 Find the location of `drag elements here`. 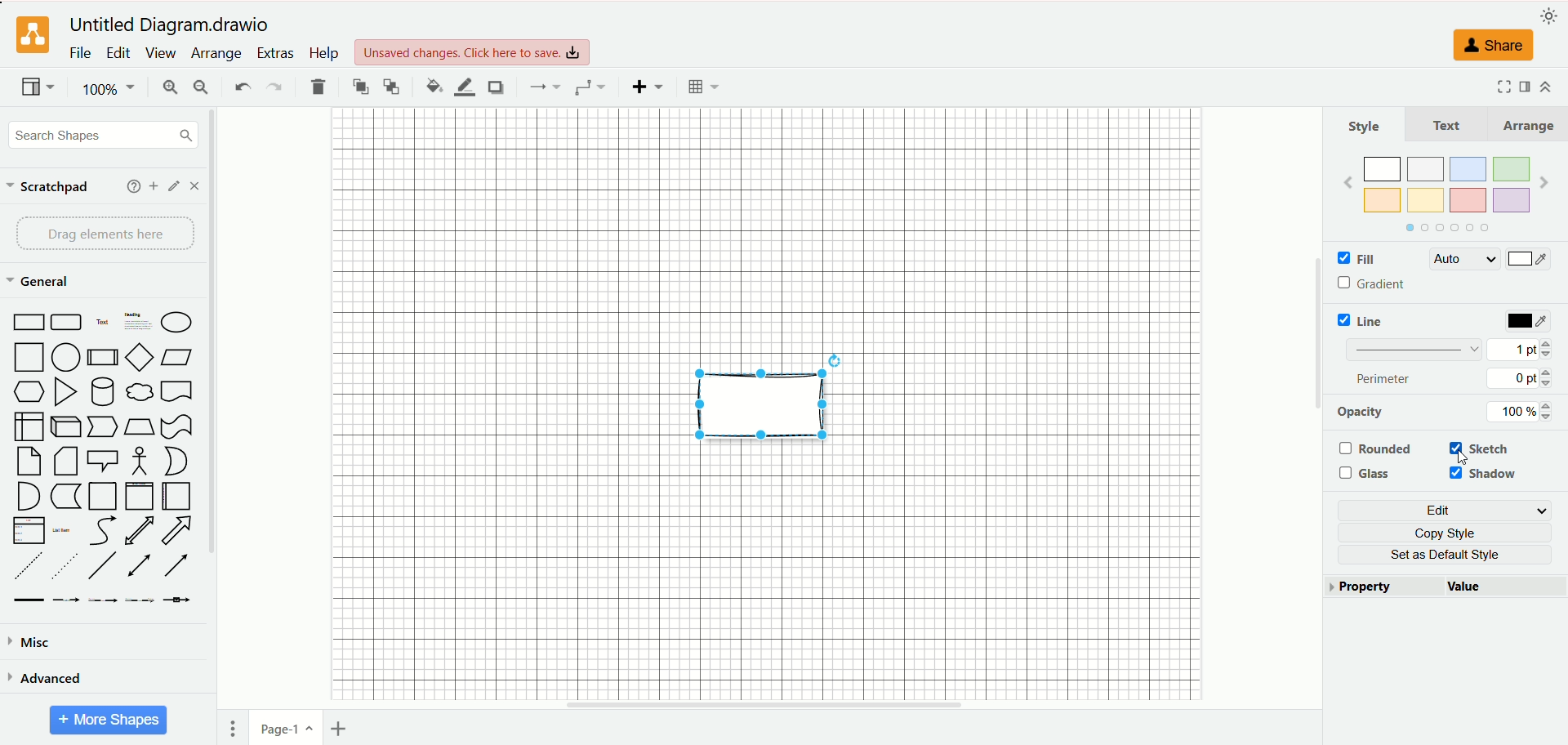

drag elements here is located at coordinates (107, 234).